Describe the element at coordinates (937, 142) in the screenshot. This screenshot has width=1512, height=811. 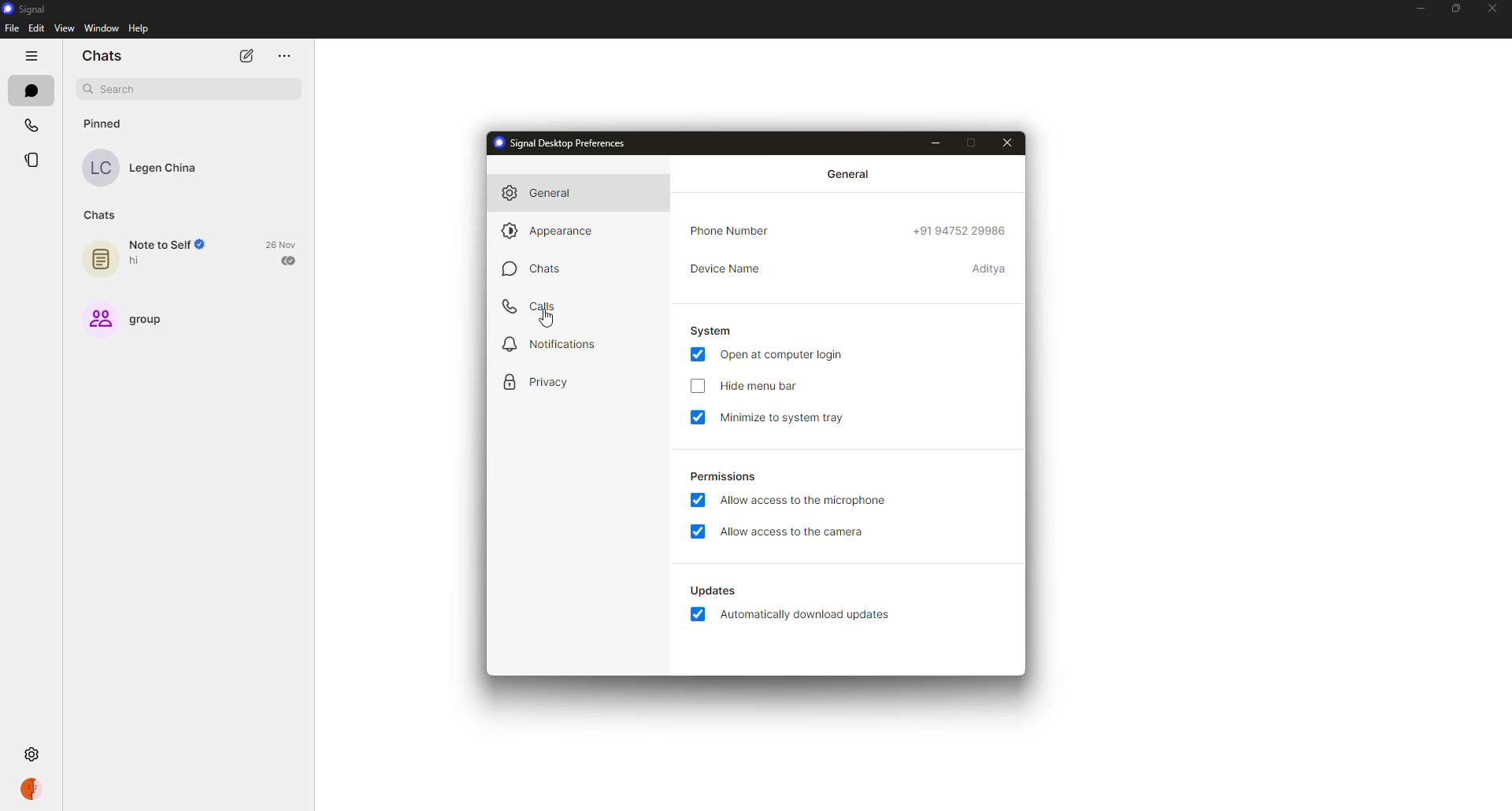
I see `minimize` at that location.